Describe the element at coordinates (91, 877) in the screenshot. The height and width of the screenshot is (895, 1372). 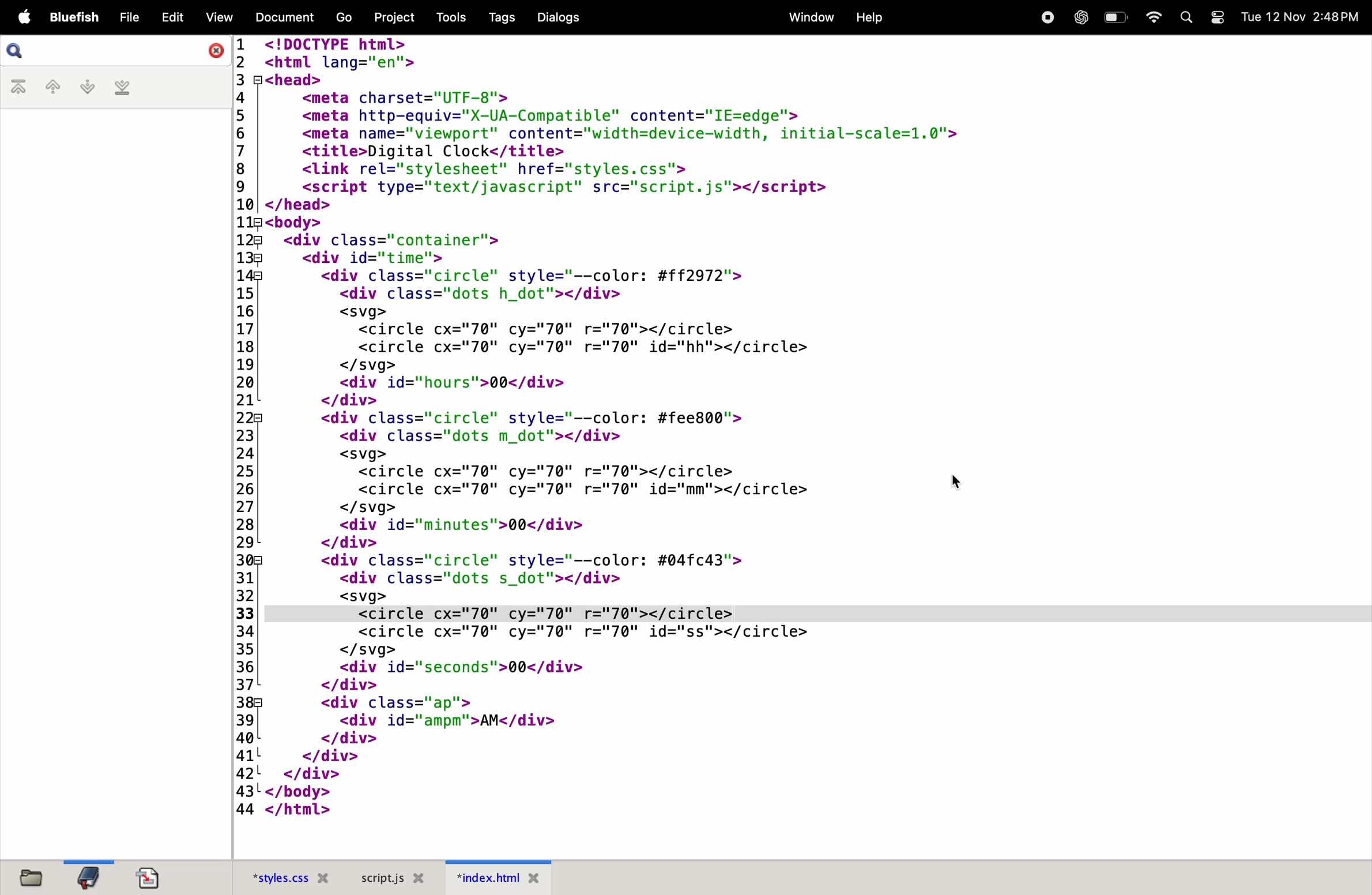
I see `bookmark` at that location.